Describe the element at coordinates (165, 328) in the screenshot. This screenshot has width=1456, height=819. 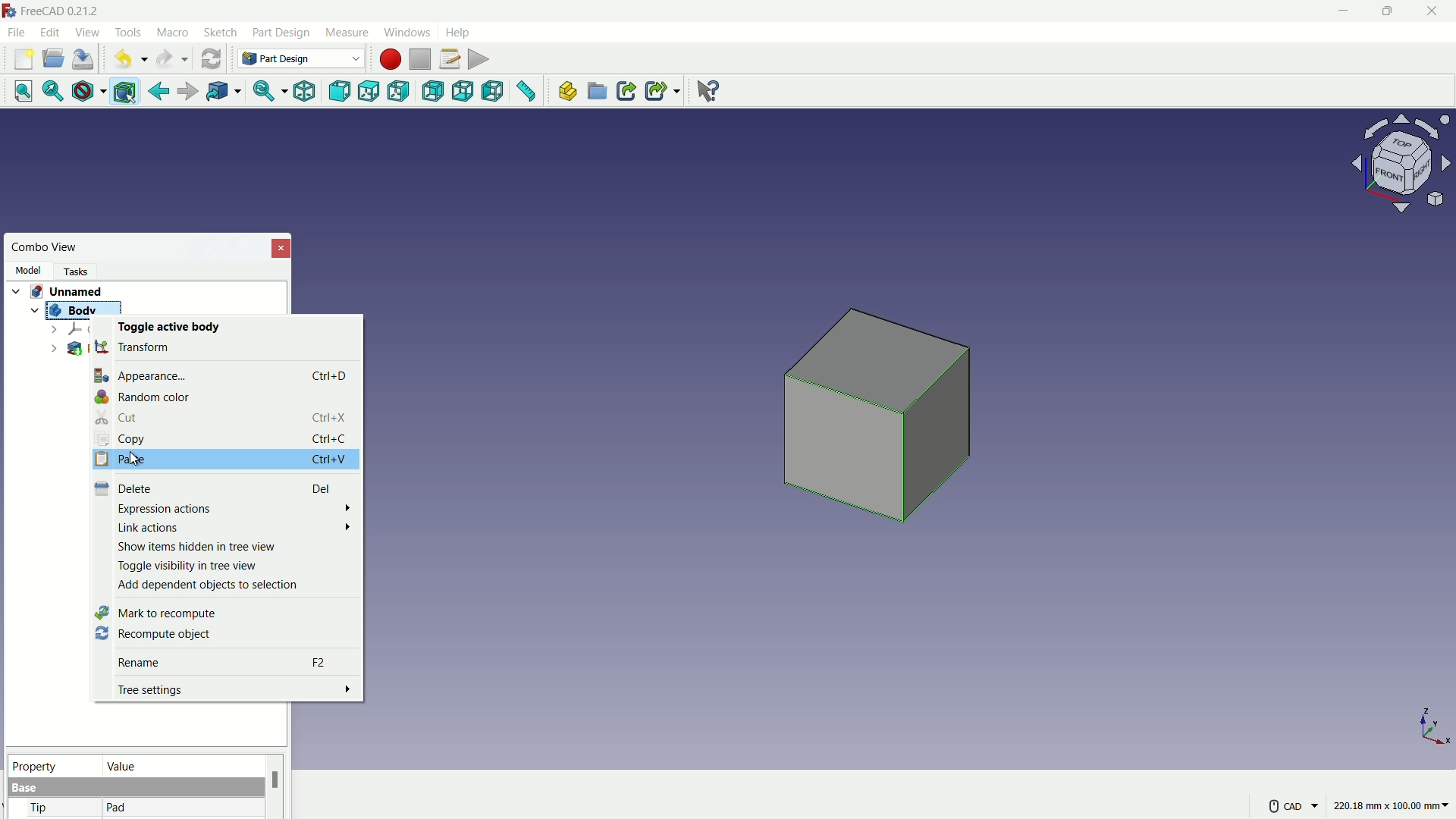
I see `Toggle active body` at that location.